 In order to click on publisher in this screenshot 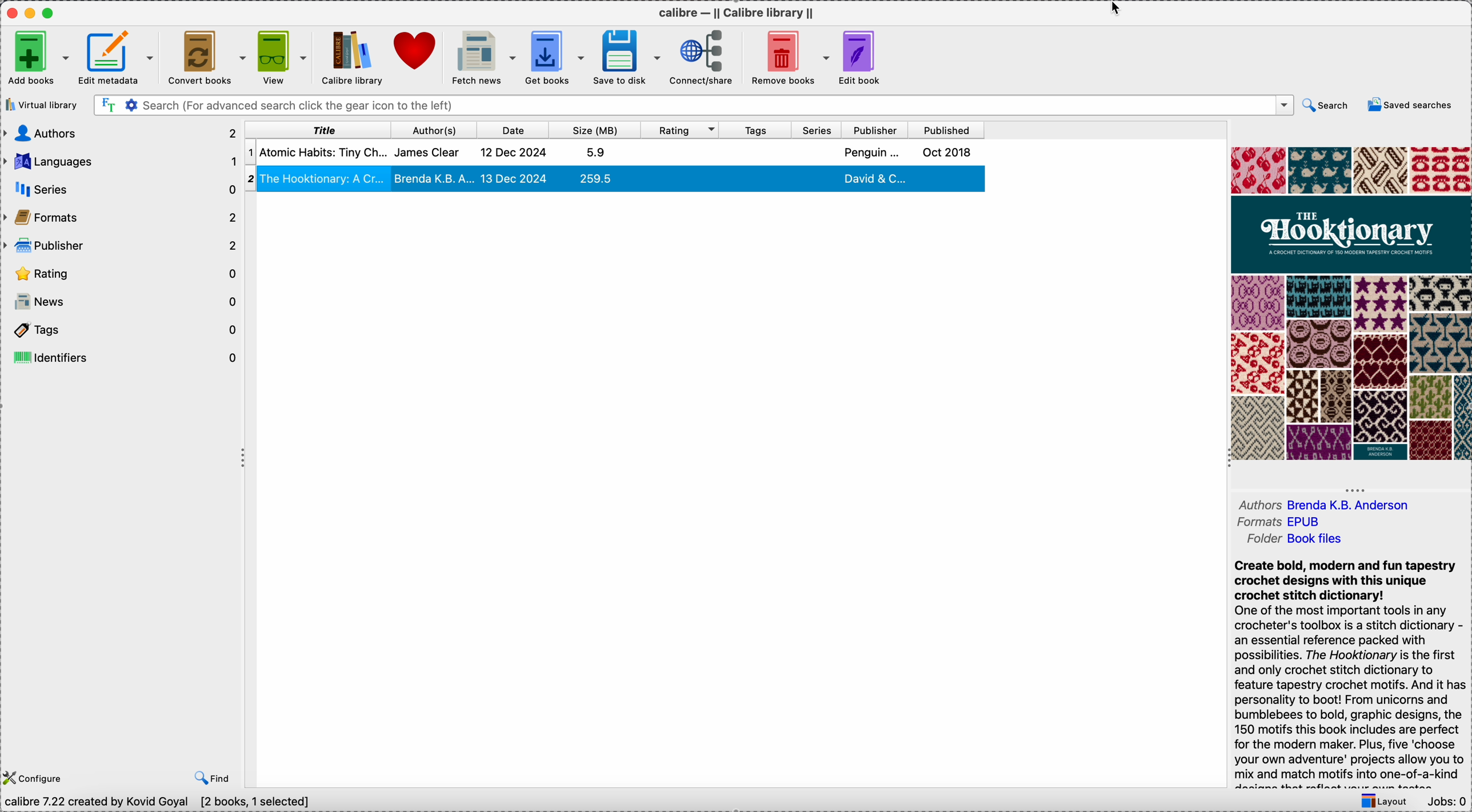, I will do `click(121, 246)`.